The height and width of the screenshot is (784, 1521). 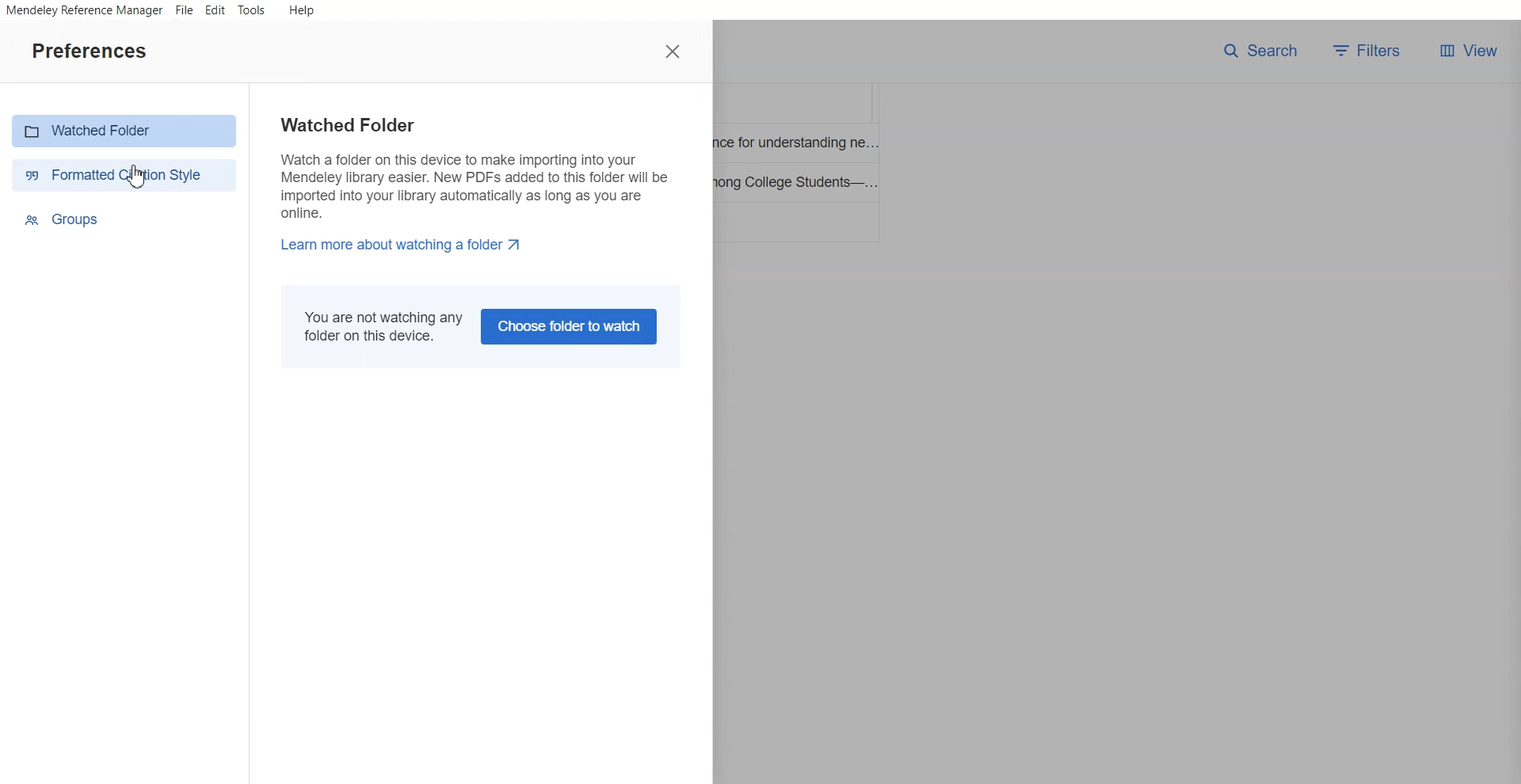 What do you see at coordinates (1371, 51) in the screenshot?
I see `Filters` at bounding box center [1371, 51].